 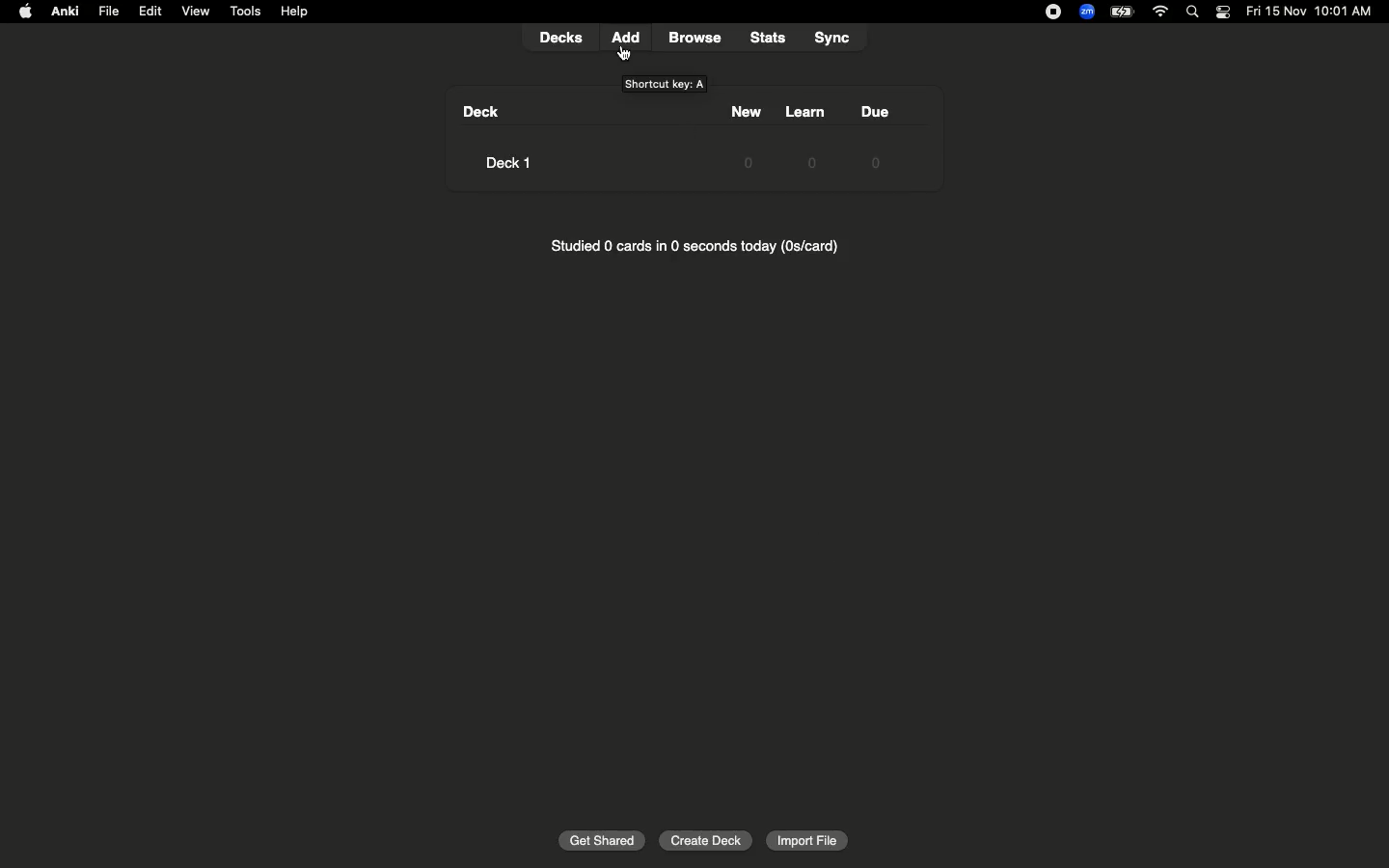 What do you see at coordinates (767, 38) in the screenshot?
I see `Stats` at bounding box center [767, 38].